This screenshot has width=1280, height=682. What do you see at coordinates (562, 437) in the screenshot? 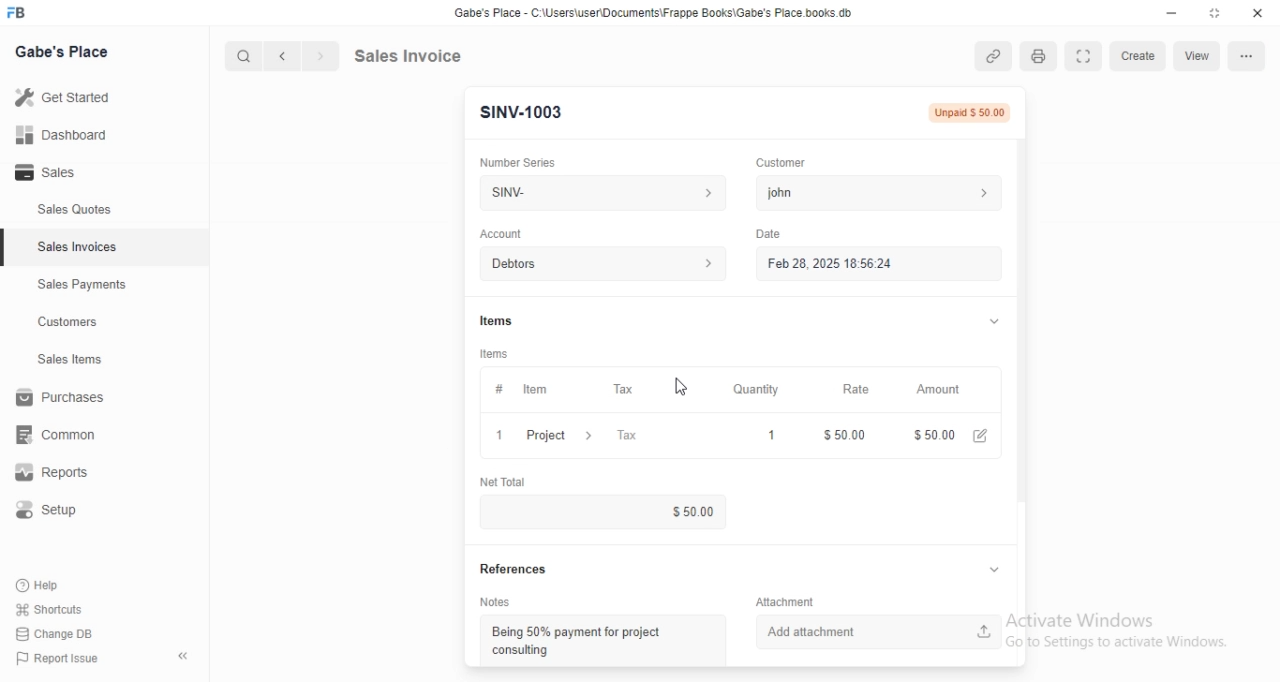
I see `Project` at bounding box center [562, 437].